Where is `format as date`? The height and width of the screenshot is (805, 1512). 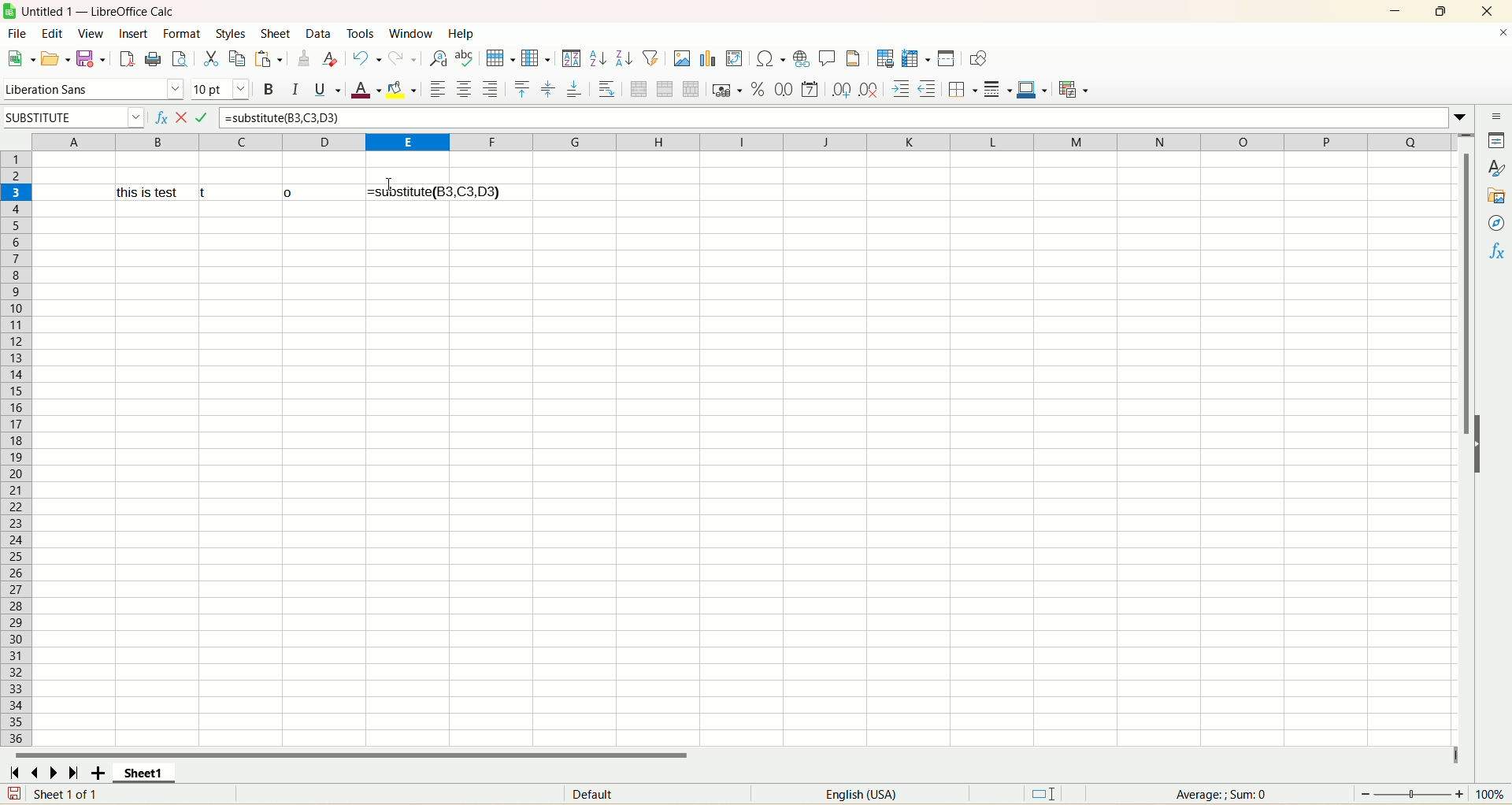
format as date is located at coordinates (810, 91).